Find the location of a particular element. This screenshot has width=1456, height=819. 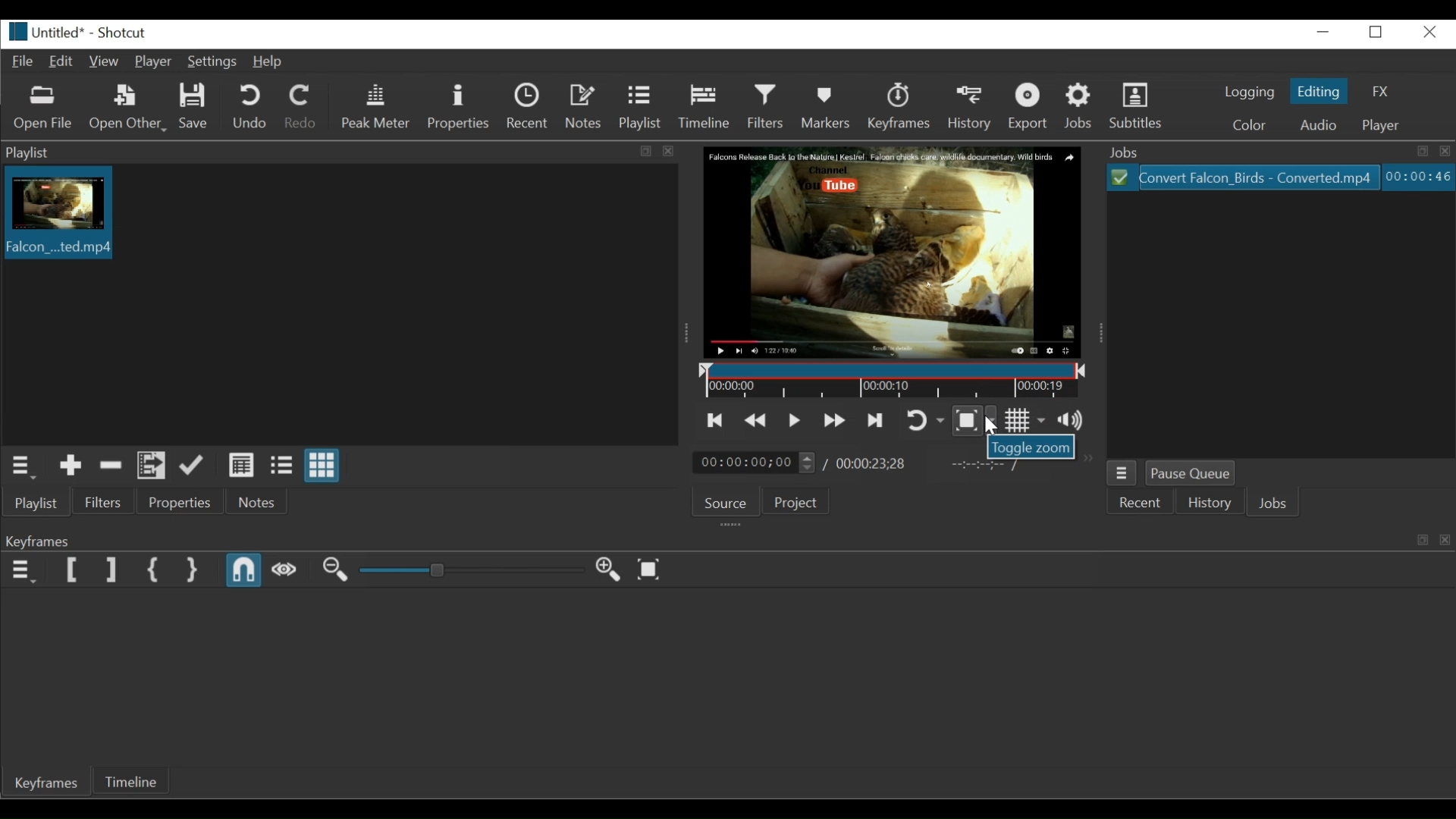

Skip to the next point is located at coordinates (875, 421).